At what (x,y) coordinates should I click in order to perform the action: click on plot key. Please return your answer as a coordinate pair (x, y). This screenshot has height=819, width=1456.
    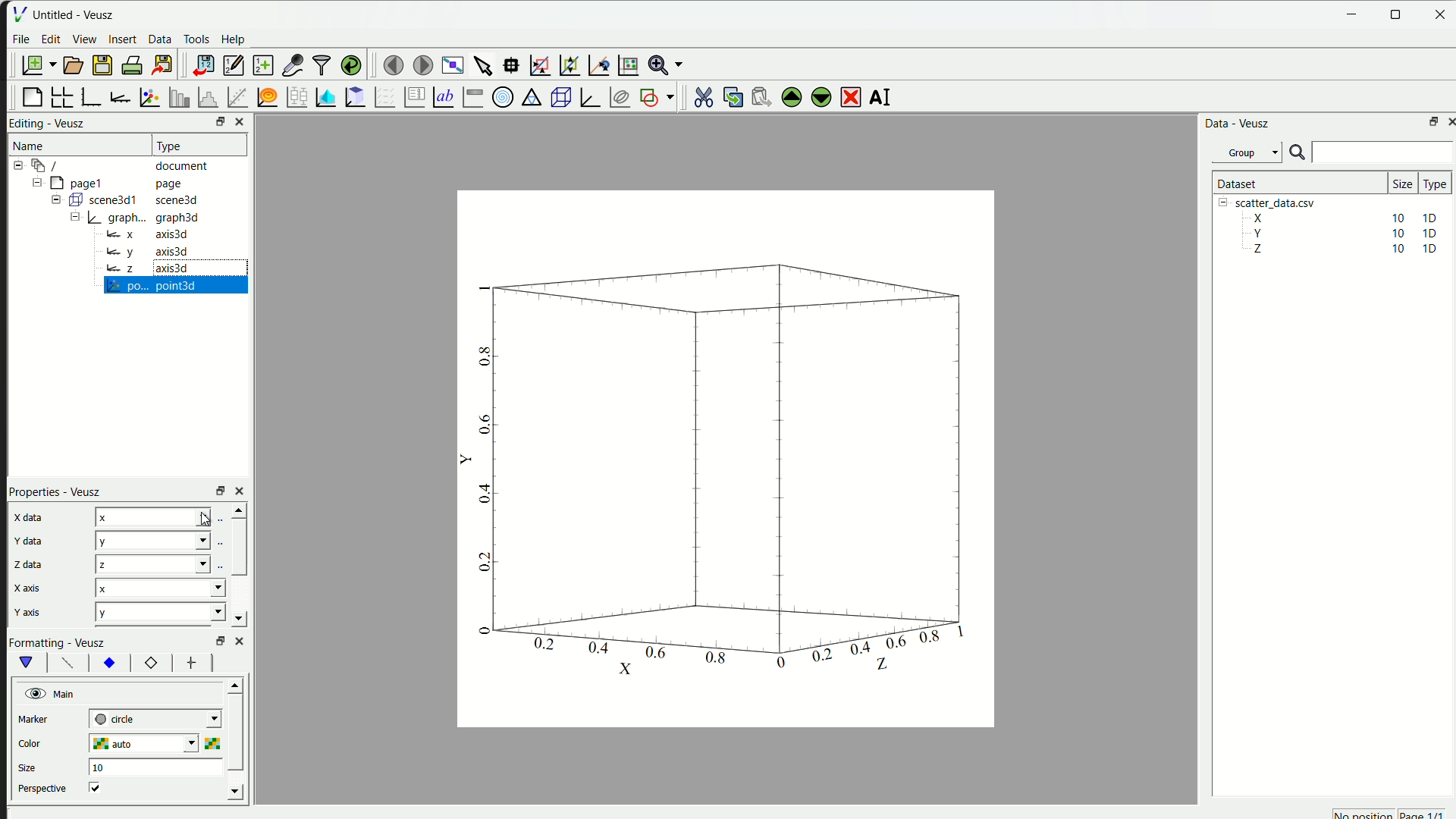
    Looking at the image, I should click on (411, 98).